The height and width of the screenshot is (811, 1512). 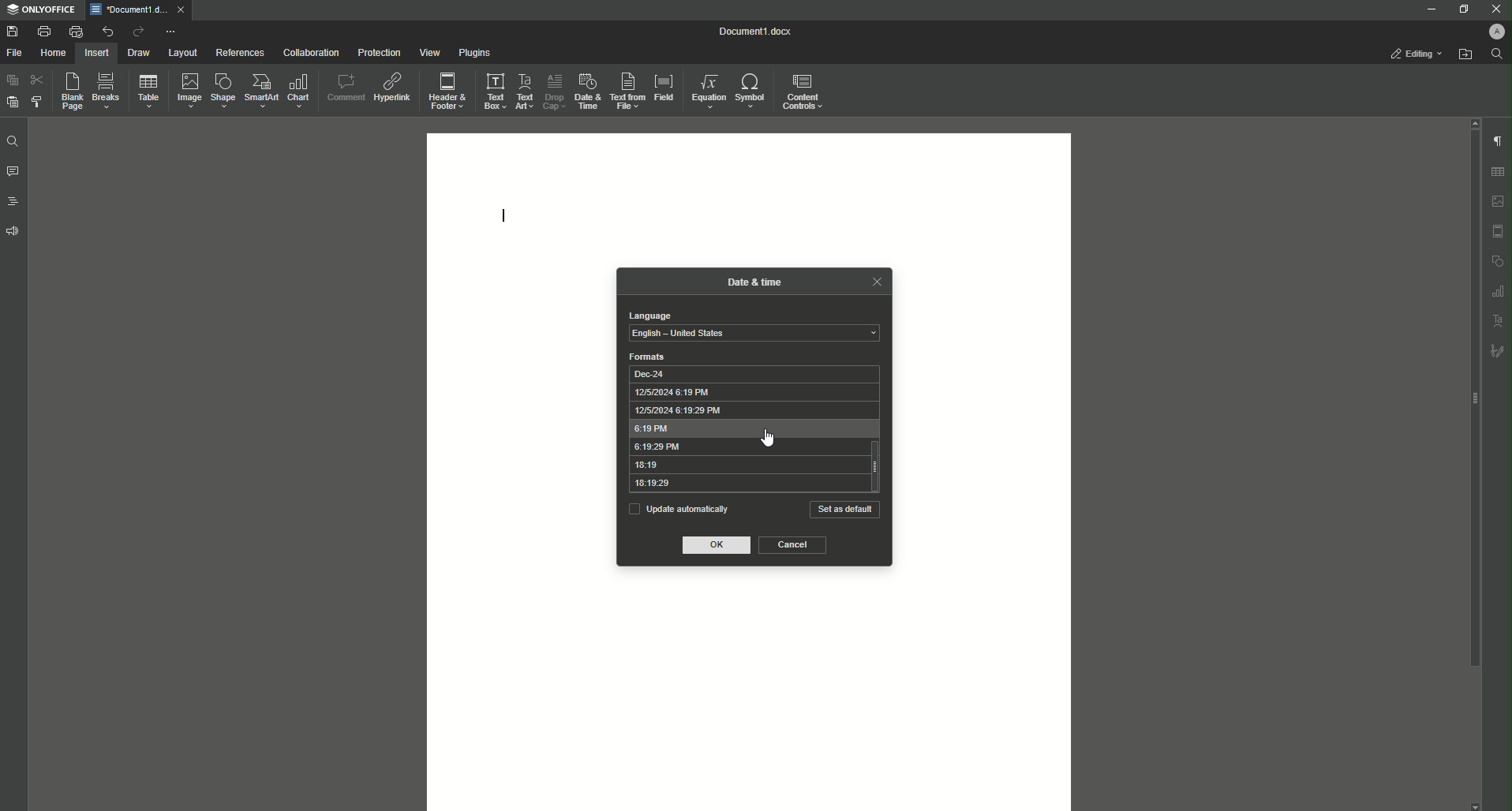 What do you see at coordinates (12, 31) in the screenshot?
I see `Save` at bounding box center [12, 31].